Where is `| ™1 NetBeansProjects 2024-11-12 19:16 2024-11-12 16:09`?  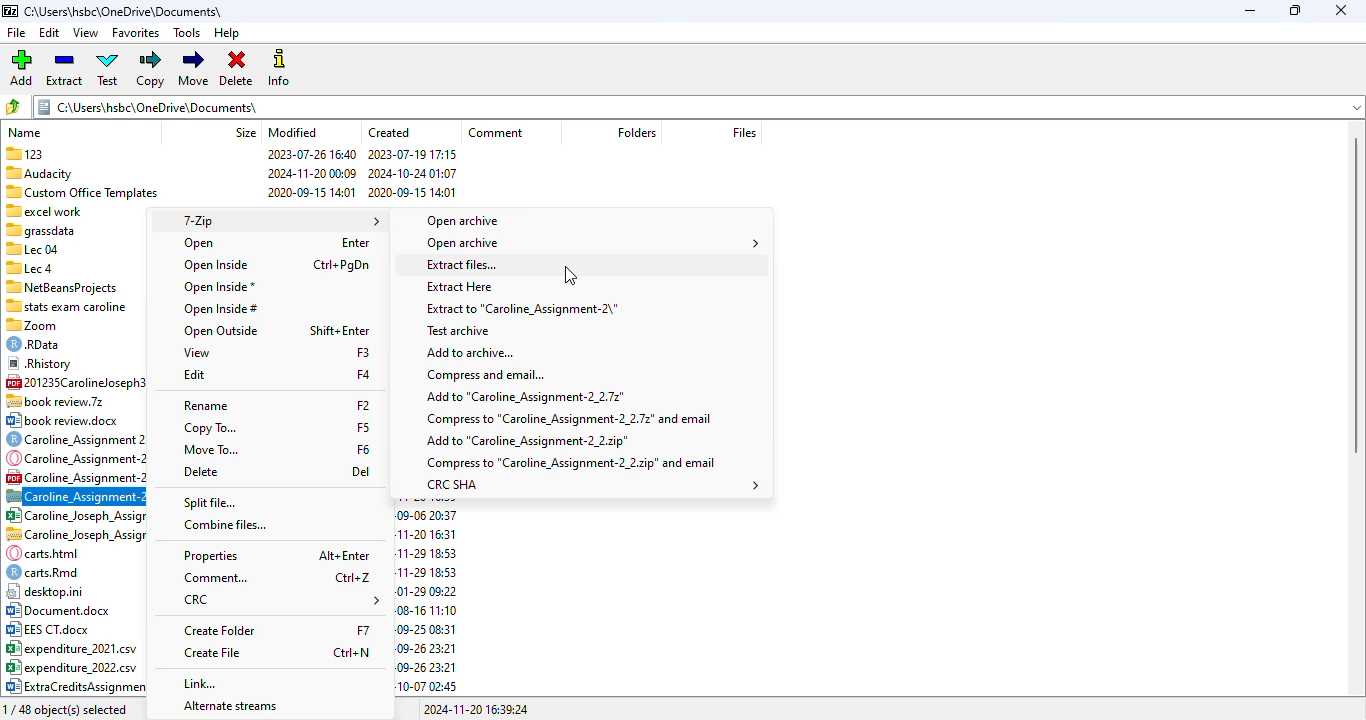 | ™1 NetBeansProjects 2024-11-12 19:16 2024-11-12 16:09 is located at coordinates (76, 285).